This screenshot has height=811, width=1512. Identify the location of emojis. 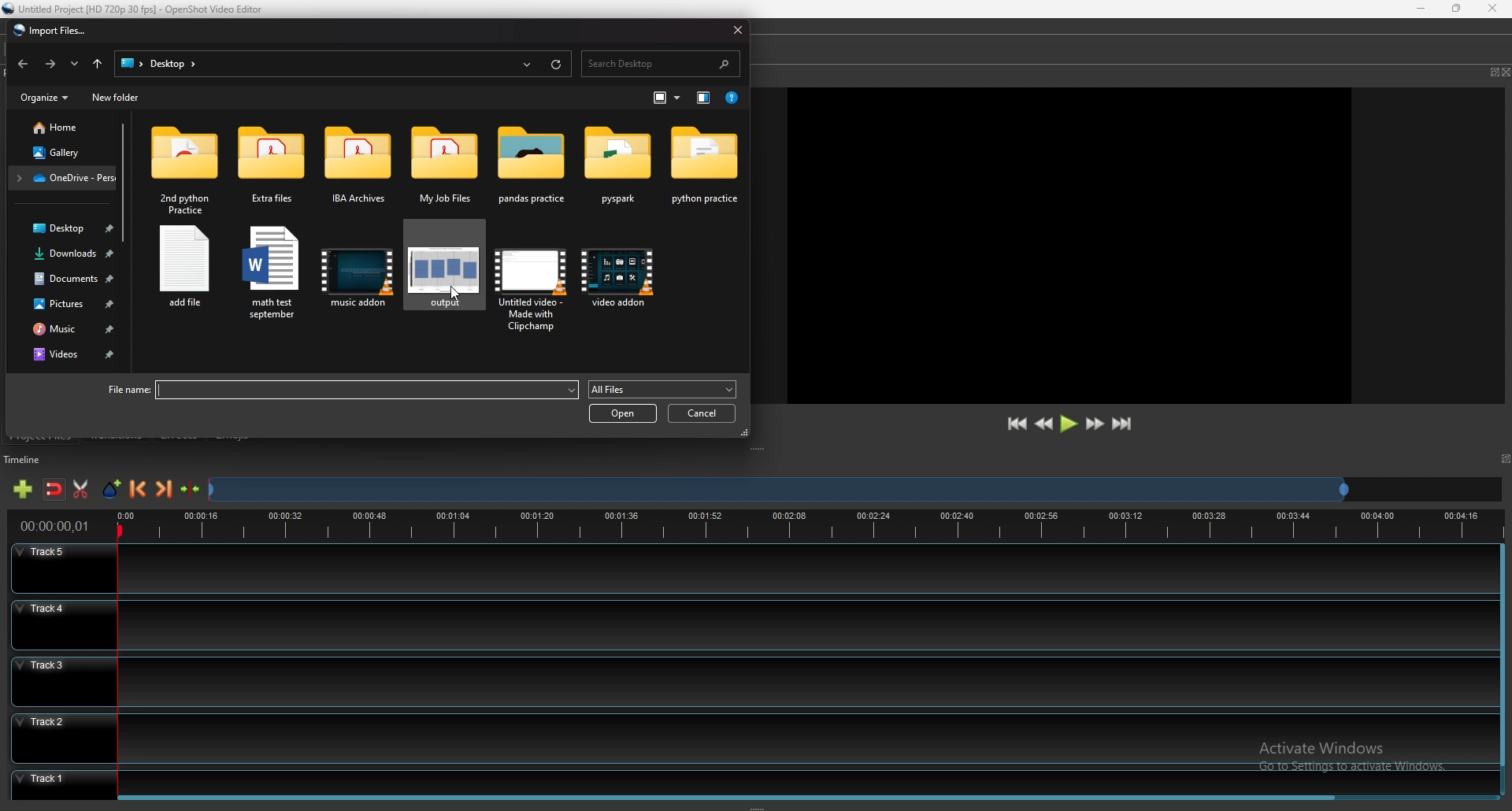
(232, 434).